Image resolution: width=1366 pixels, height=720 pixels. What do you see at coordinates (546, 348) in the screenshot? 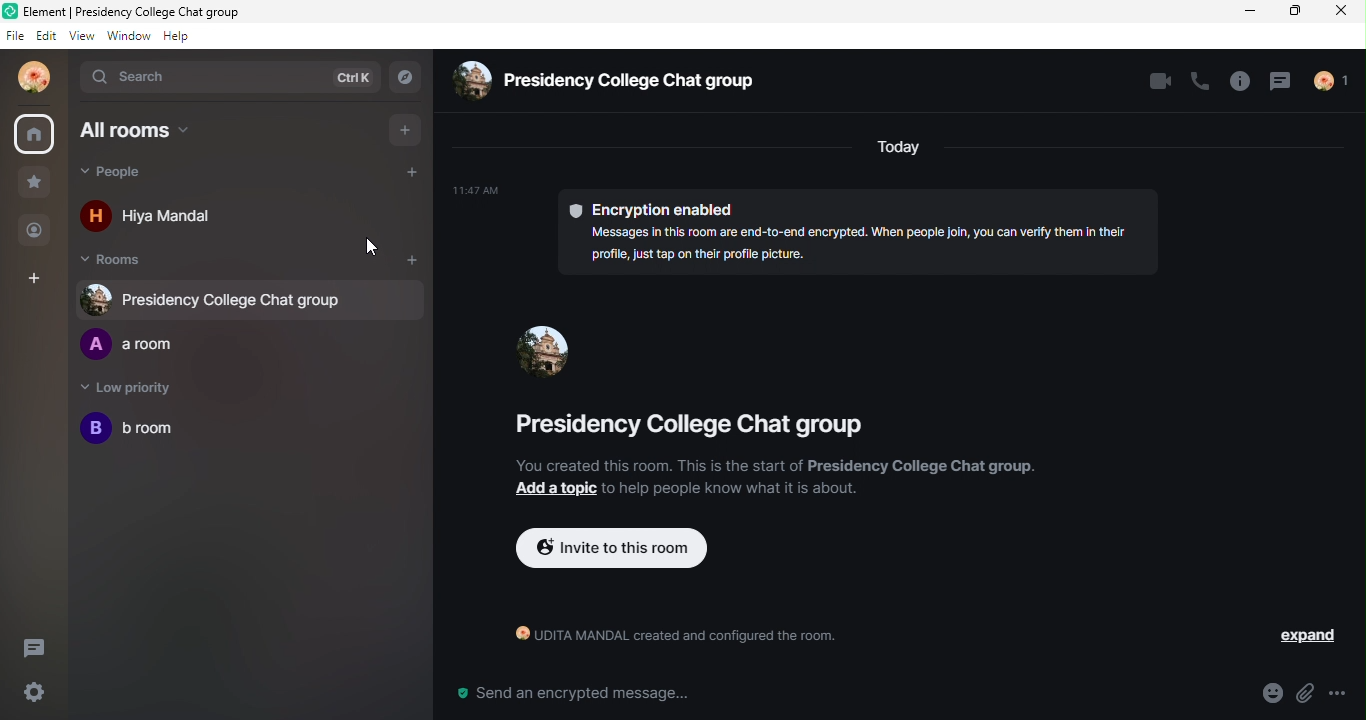
I see `Uploaded an avatar image for a specific room` at bounding box center [546, 348].